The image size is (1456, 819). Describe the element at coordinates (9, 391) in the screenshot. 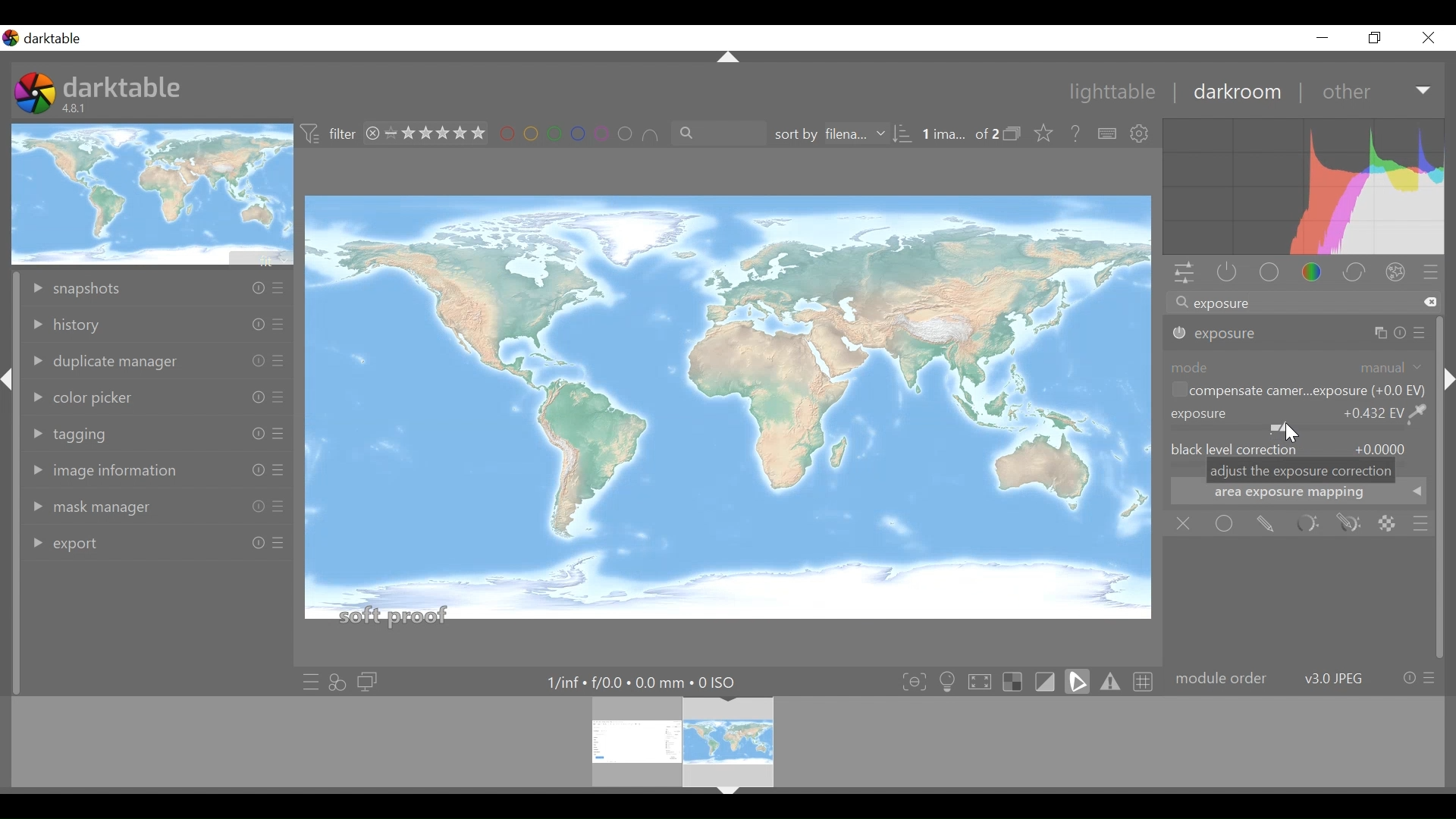

I see `` at that location.